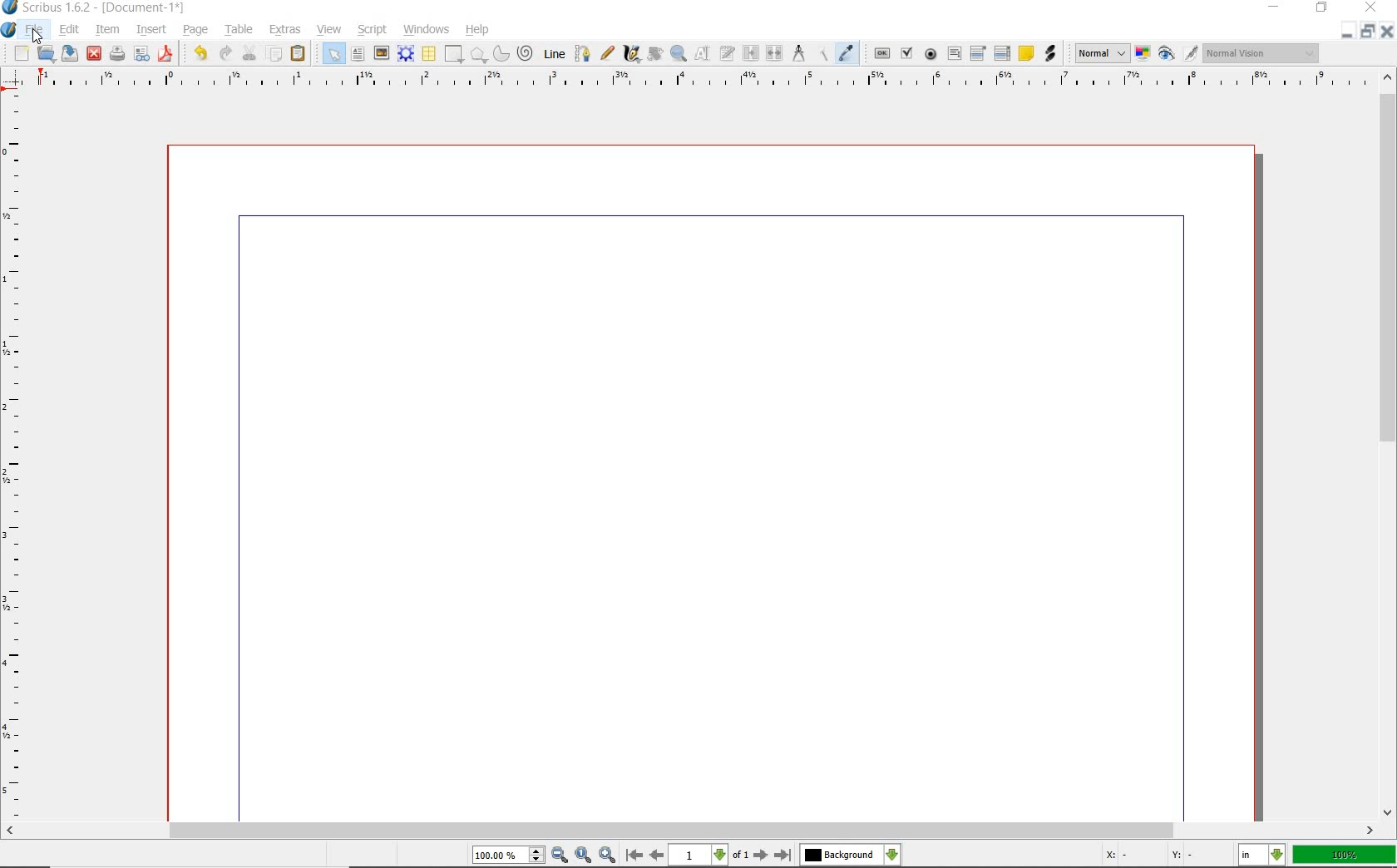  Describe the element at coordinates (728, 52) in the screenshot. I see `edit text with story editor` at that location.